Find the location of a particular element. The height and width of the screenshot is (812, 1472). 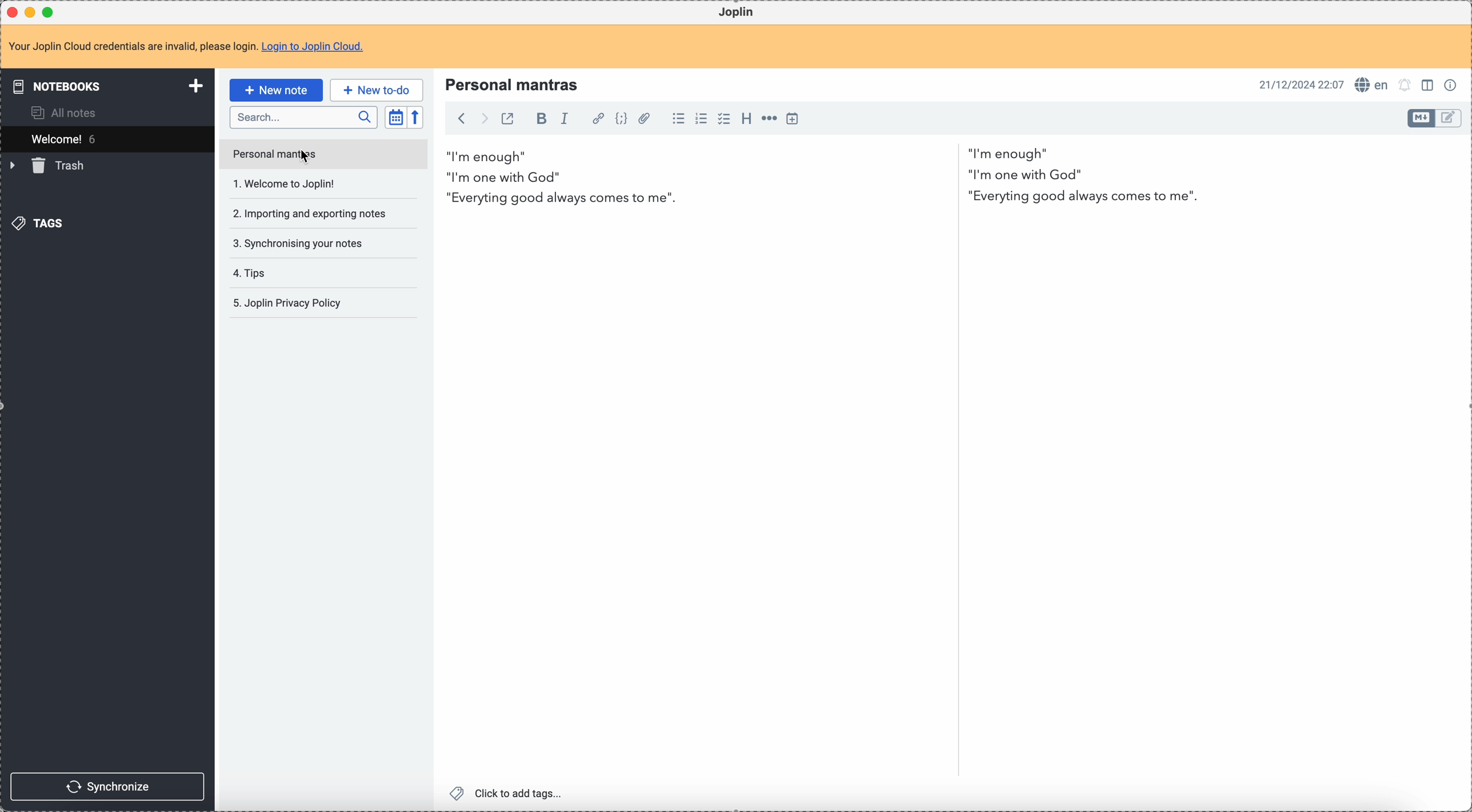

insert time is located at coordinates (792, 120).